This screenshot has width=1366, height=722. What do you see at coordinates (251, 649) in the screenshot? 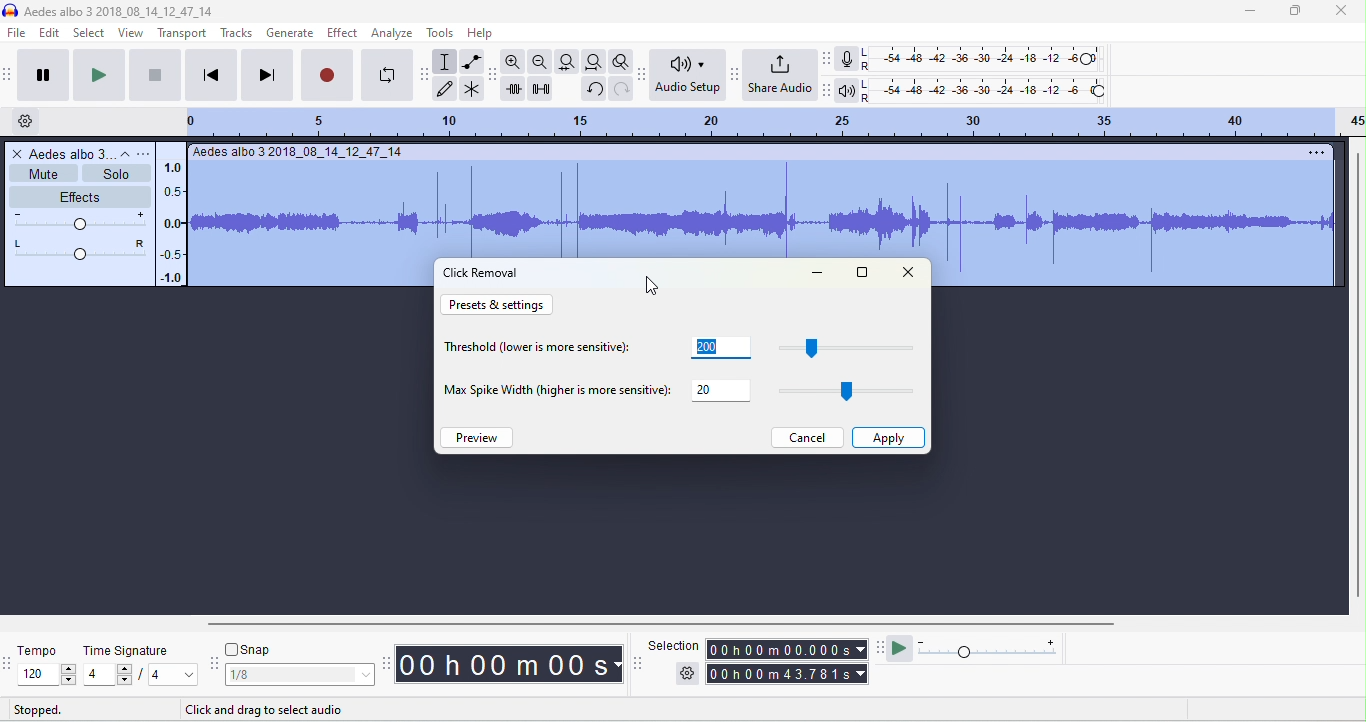
I see `snap` at bounding box center [251, 649].